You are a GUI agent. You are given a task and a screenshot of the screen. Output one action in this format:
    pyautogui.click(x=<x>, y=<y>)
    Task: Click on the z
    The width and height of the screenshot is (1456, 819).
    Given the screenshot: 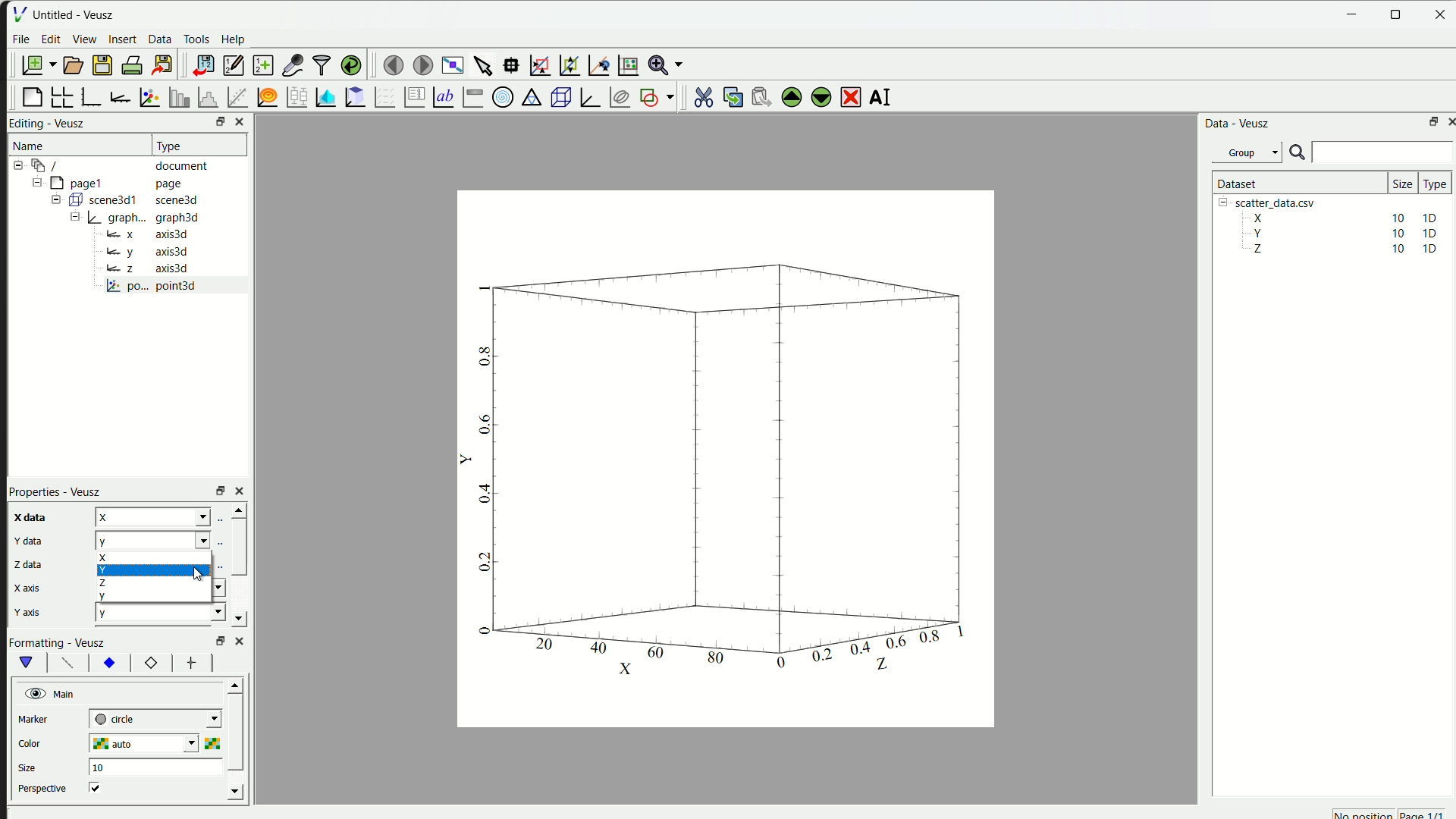 What is the action you would take?
    pyautogui.click(x=170, y=515)
    